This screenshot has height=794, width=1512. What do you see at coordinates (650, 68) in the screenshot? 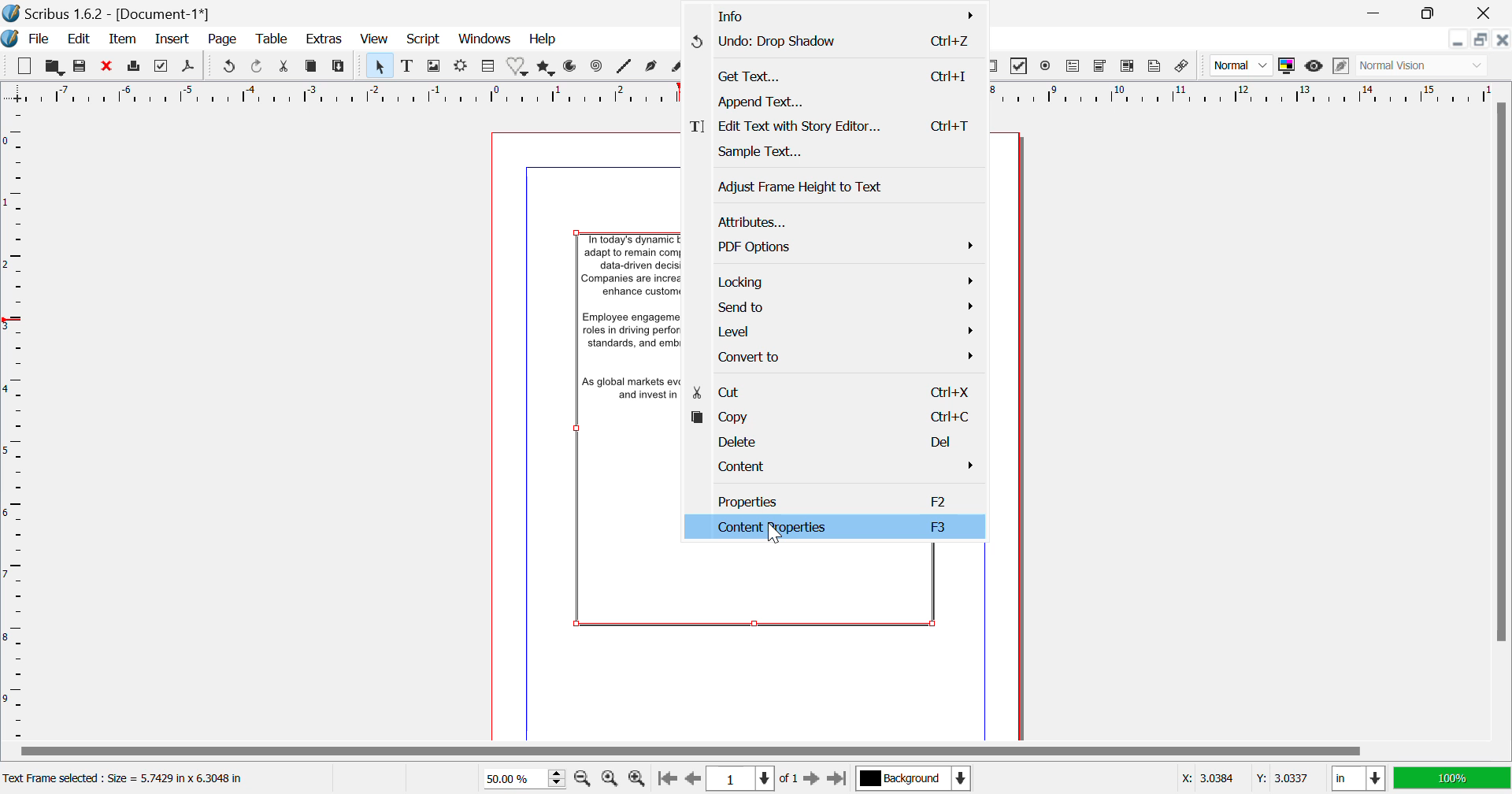
I see `Bezier Curve` at bounding box center [650, 68].